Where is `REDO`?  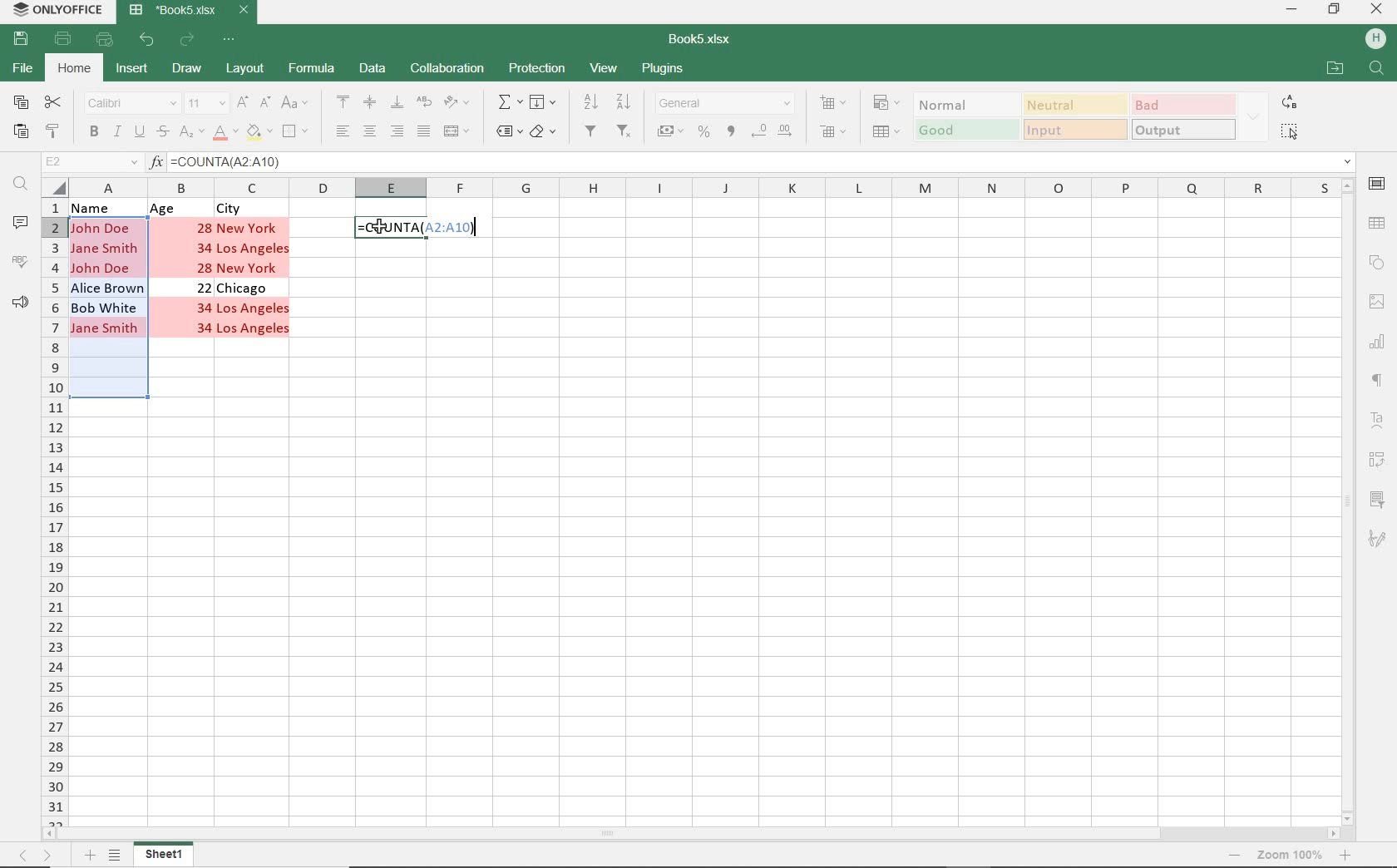
REDO is located at coordinates (187, 42).